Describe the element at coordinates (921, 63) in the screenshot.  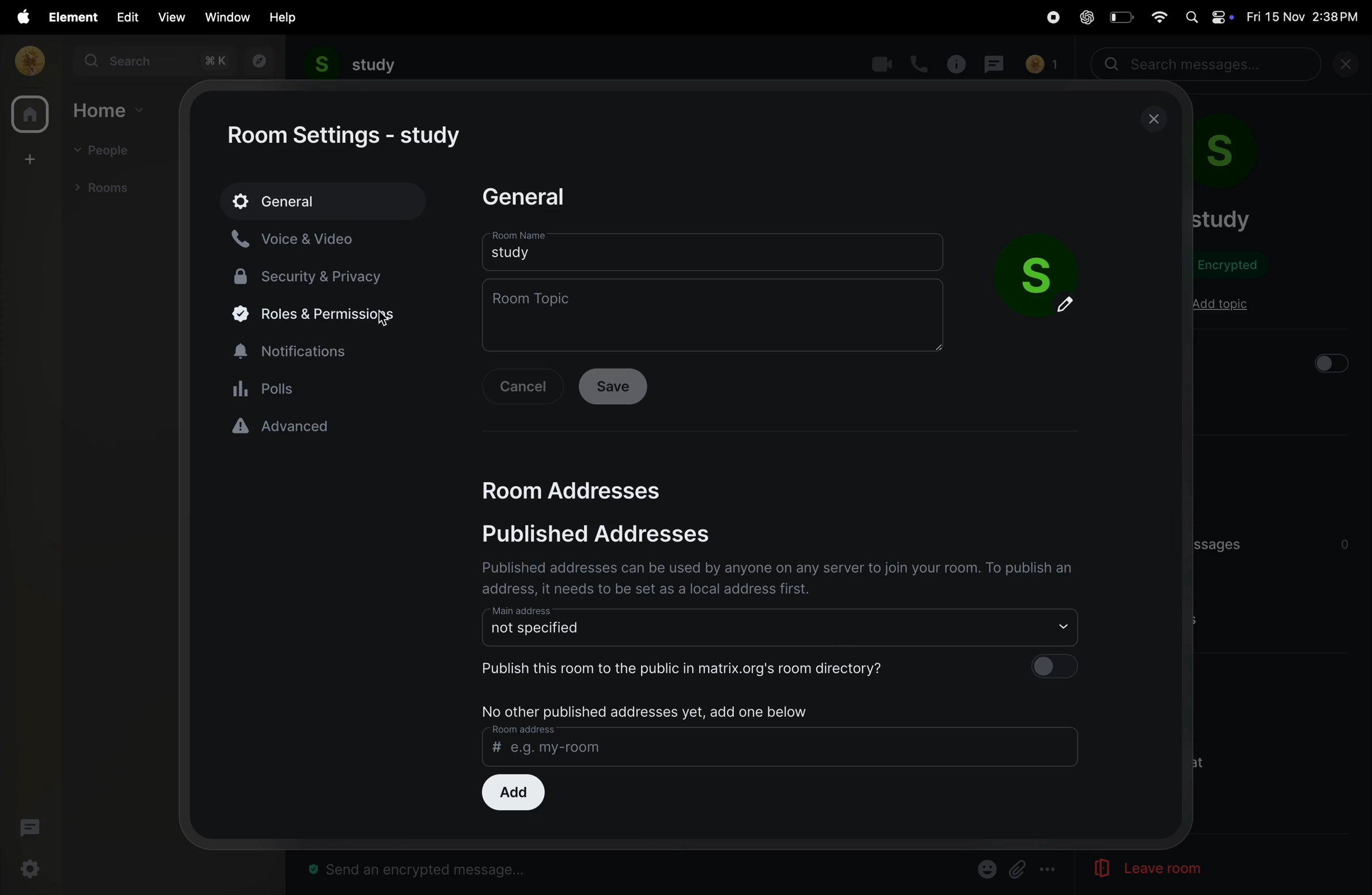
I see `call` at that location.